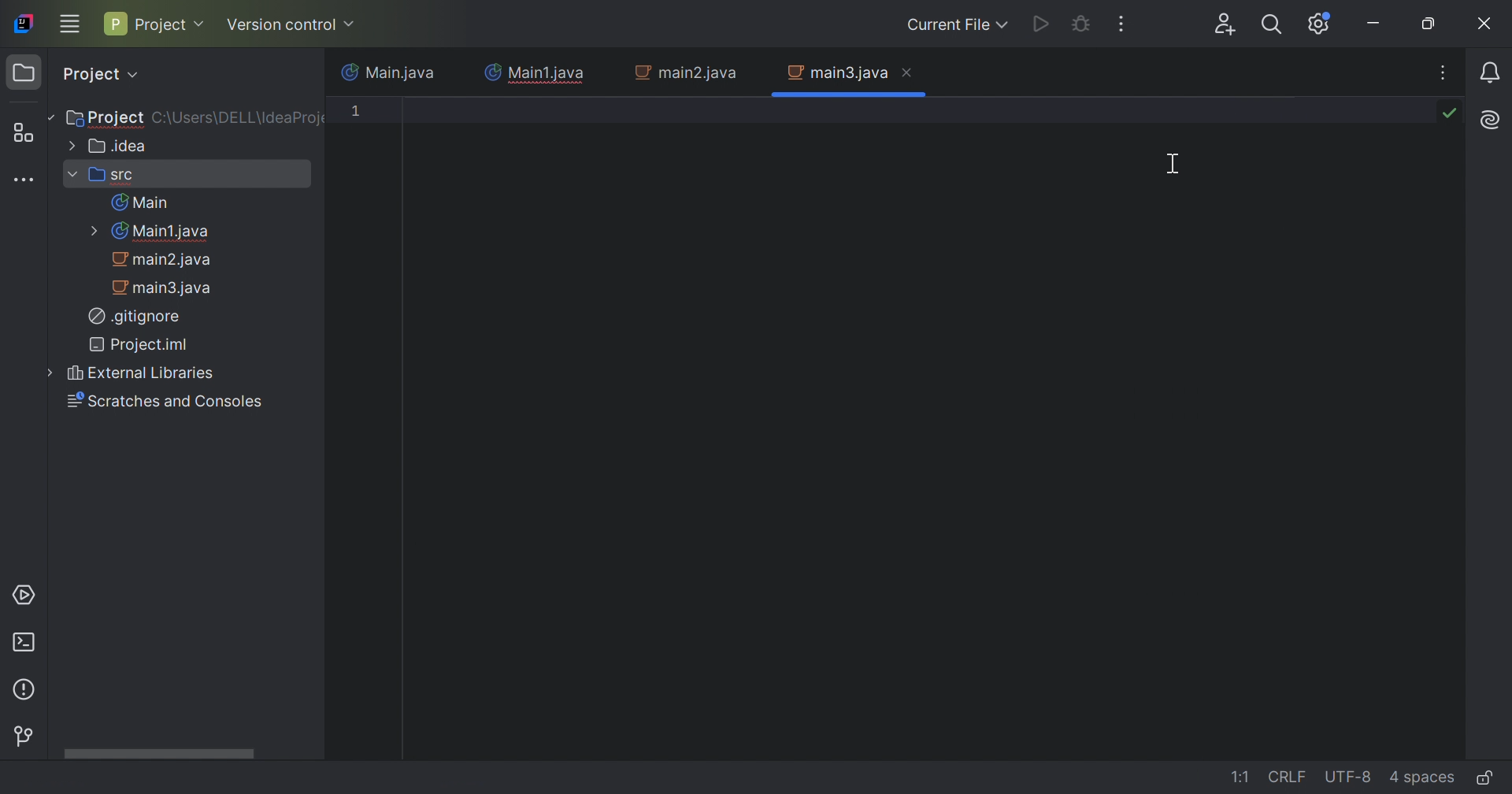 Image resolution: width=1512 pixels, height=794 pixels. I want to click on Main menu, so click(69, 25).